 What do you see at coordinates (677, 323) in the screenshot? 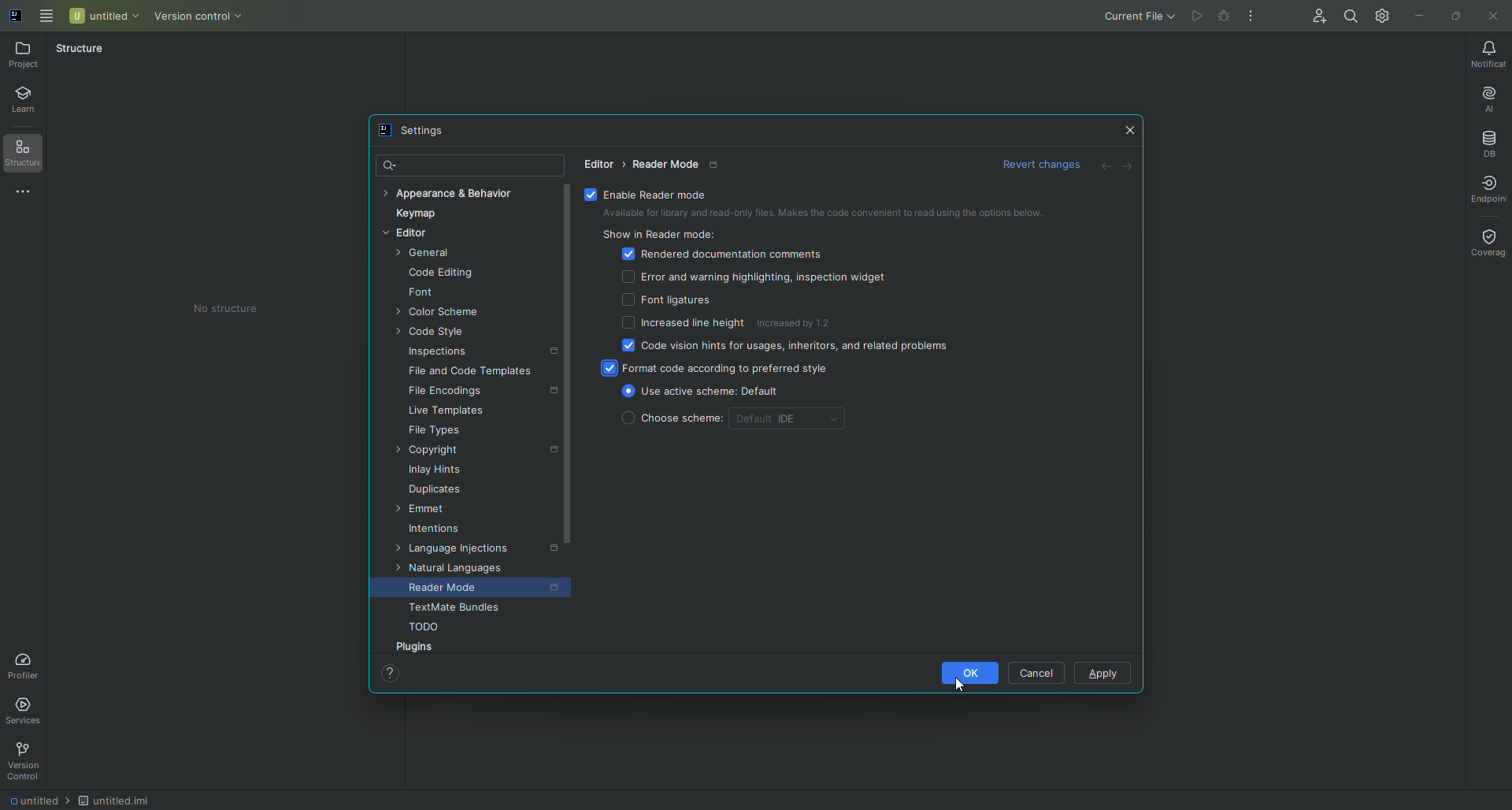
I see `Increased line height` at bounding box center [677, 323].